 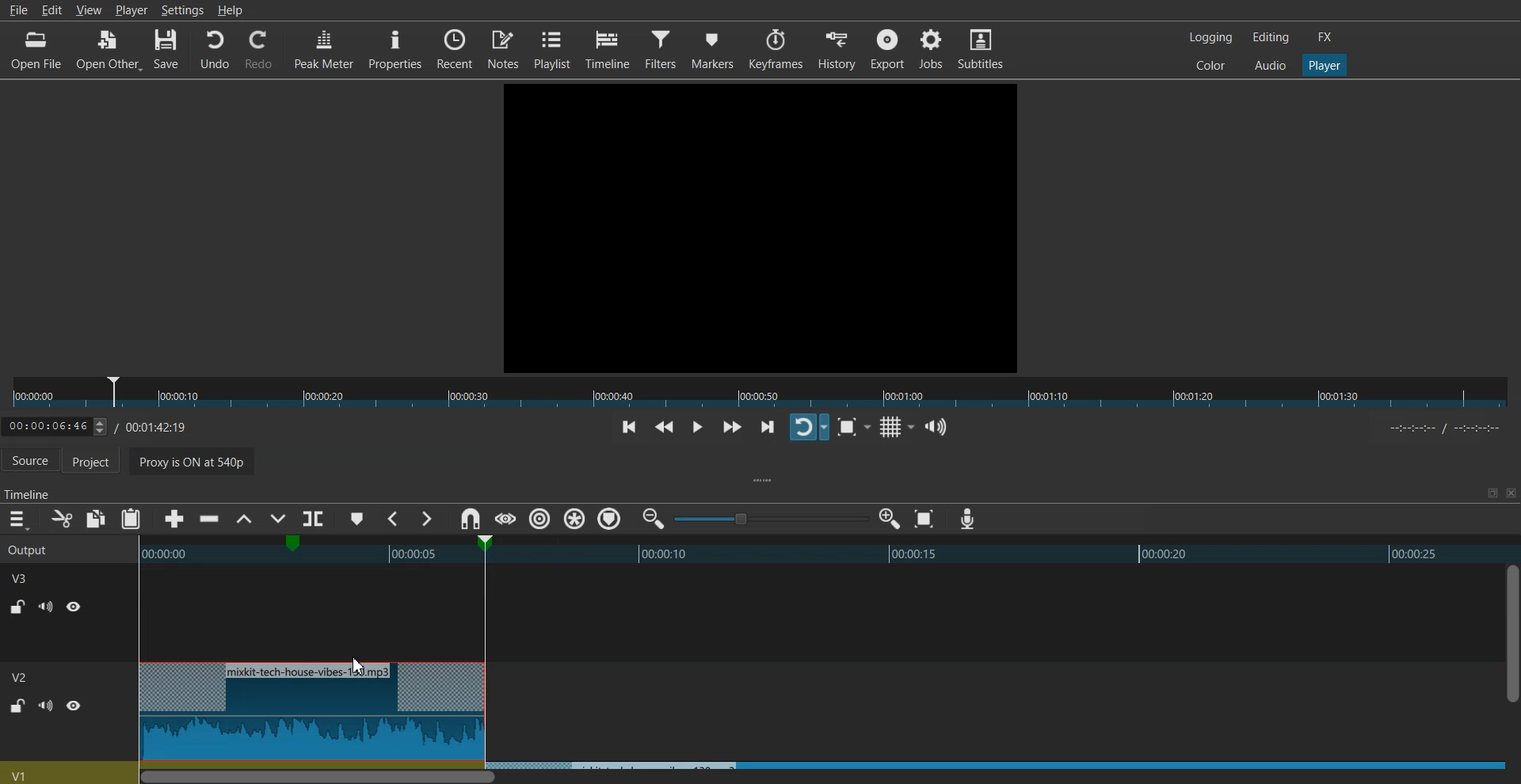 What do you see at coordinates (966, 519) in the screenshot?
I see `Record audio` at bounding box center [966, 519].